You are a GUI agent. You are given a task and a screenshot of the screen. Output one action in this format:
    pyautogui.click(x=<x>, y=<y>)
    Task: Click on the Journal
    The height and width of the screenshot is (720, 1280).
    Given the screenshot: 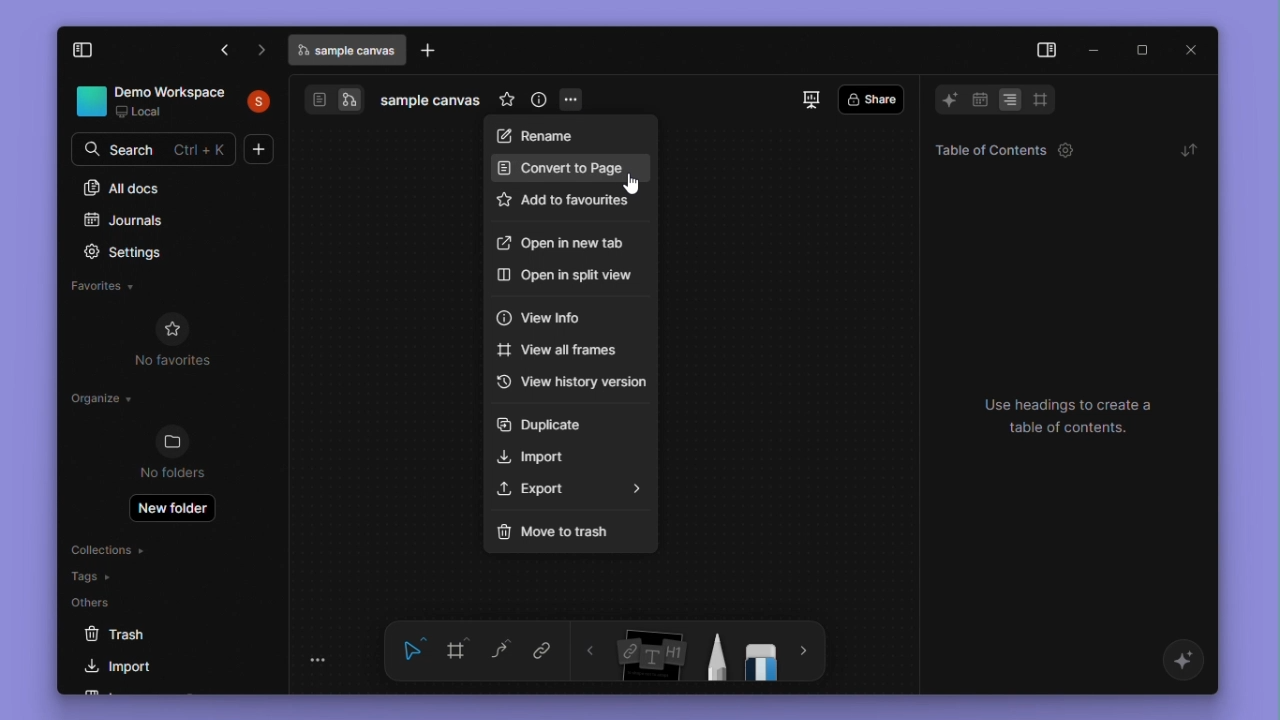 What is the action you would take?
    pyautogui.click(x=126, y=222)
    